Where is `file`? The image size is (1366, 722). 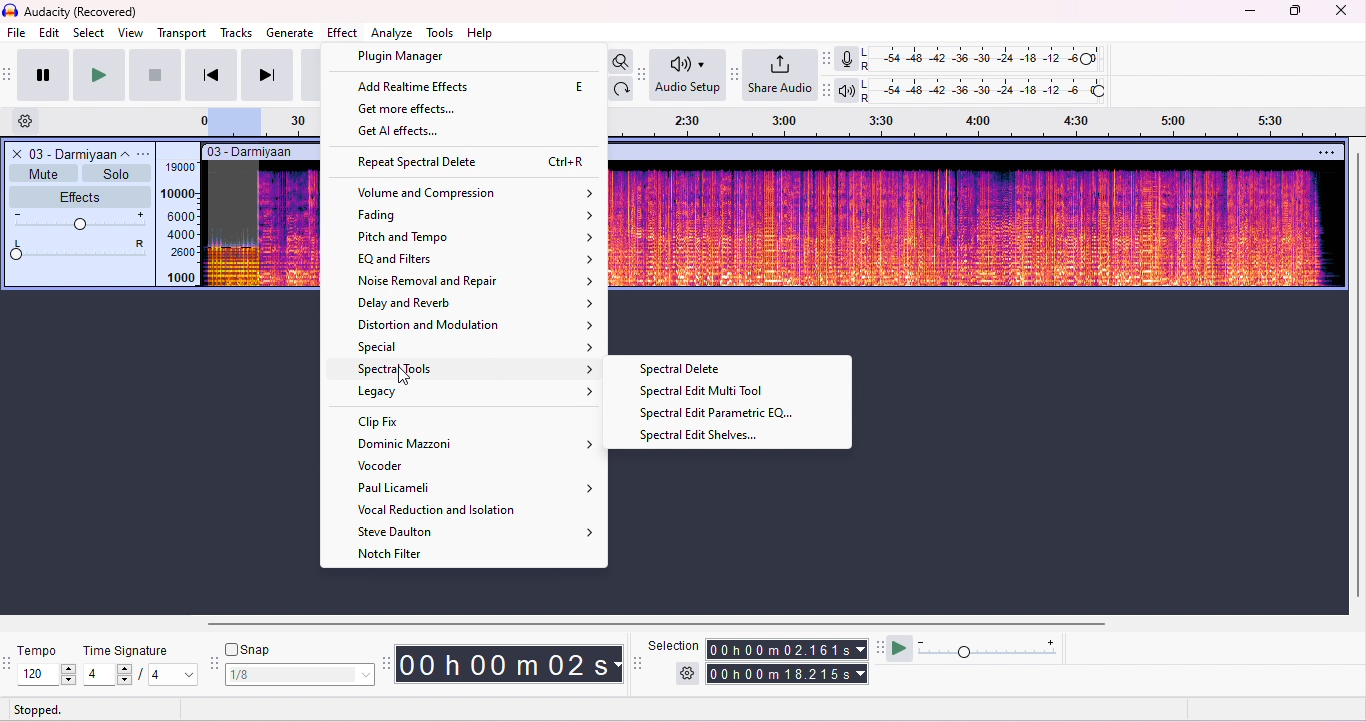
file is located at coordinates (16, 32).